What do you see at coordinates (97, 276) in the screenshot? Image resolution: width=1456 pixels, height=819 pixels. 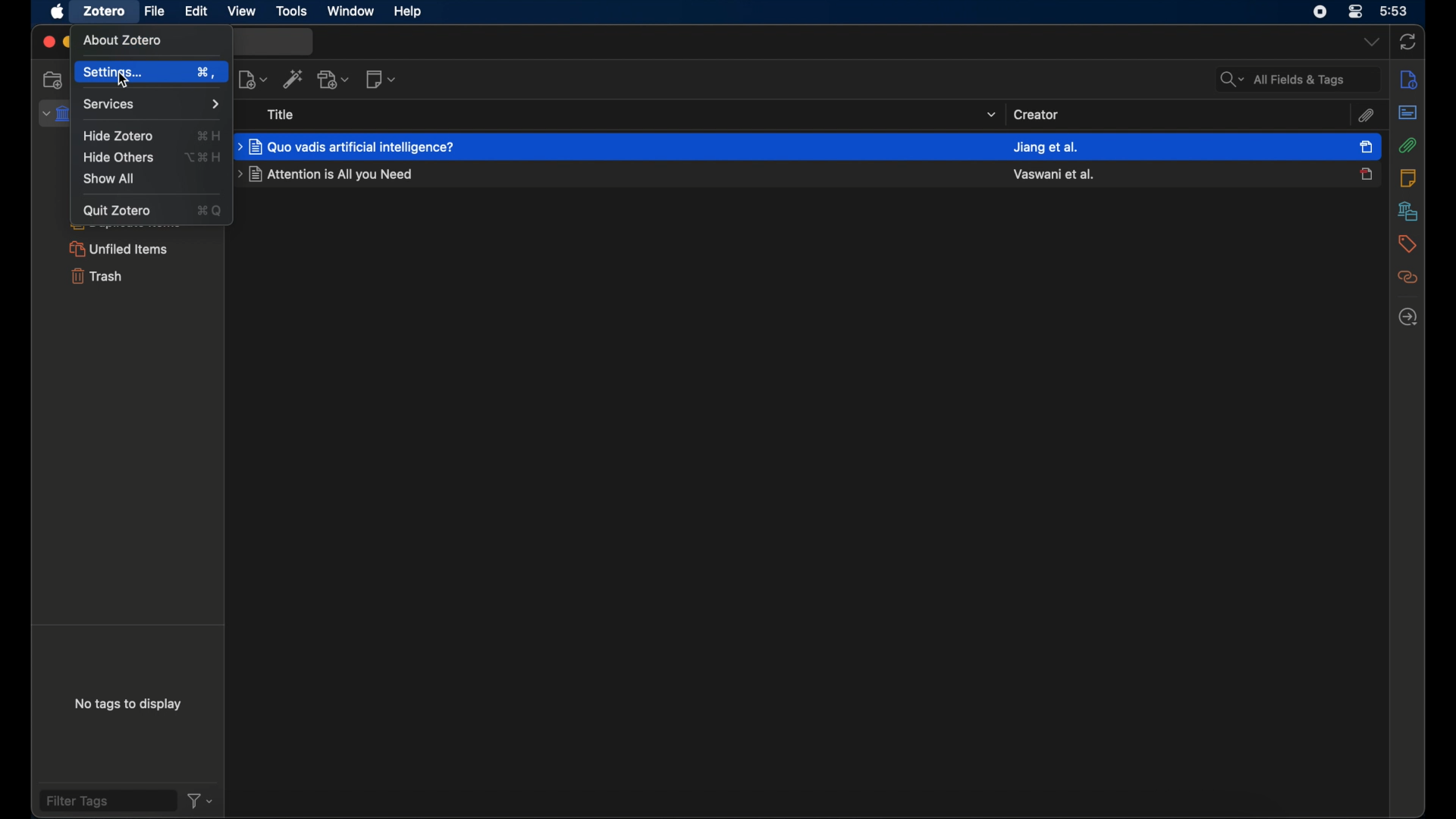 I see `trash` at bounding box center [97, 276].